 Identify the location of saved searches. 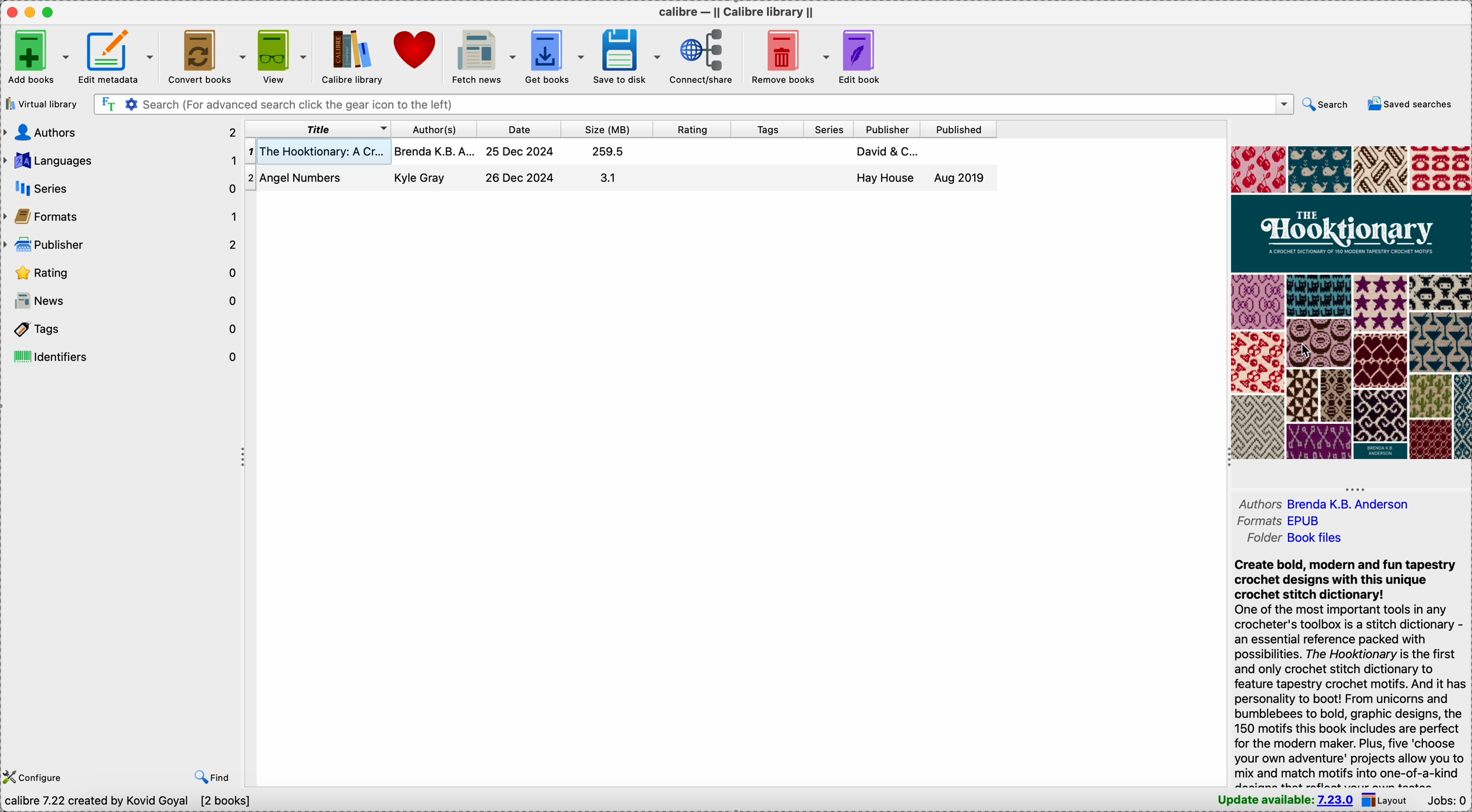
(1410, 104).